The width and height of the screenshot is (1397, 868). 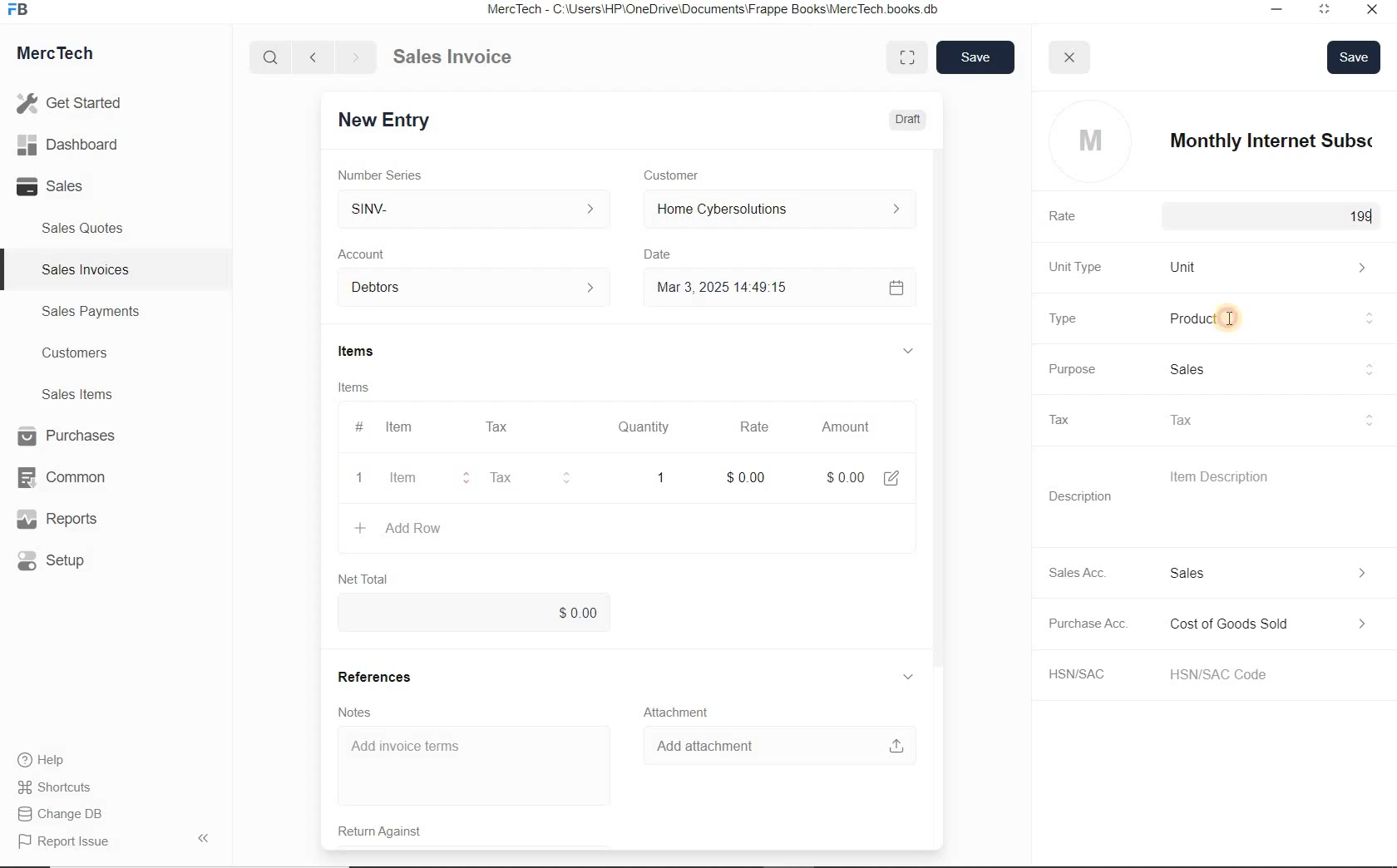 What do you see at coordinates (1081, 572) in the screenshot?
I see `Sales Acc.` at bounding box center [1081, 572].